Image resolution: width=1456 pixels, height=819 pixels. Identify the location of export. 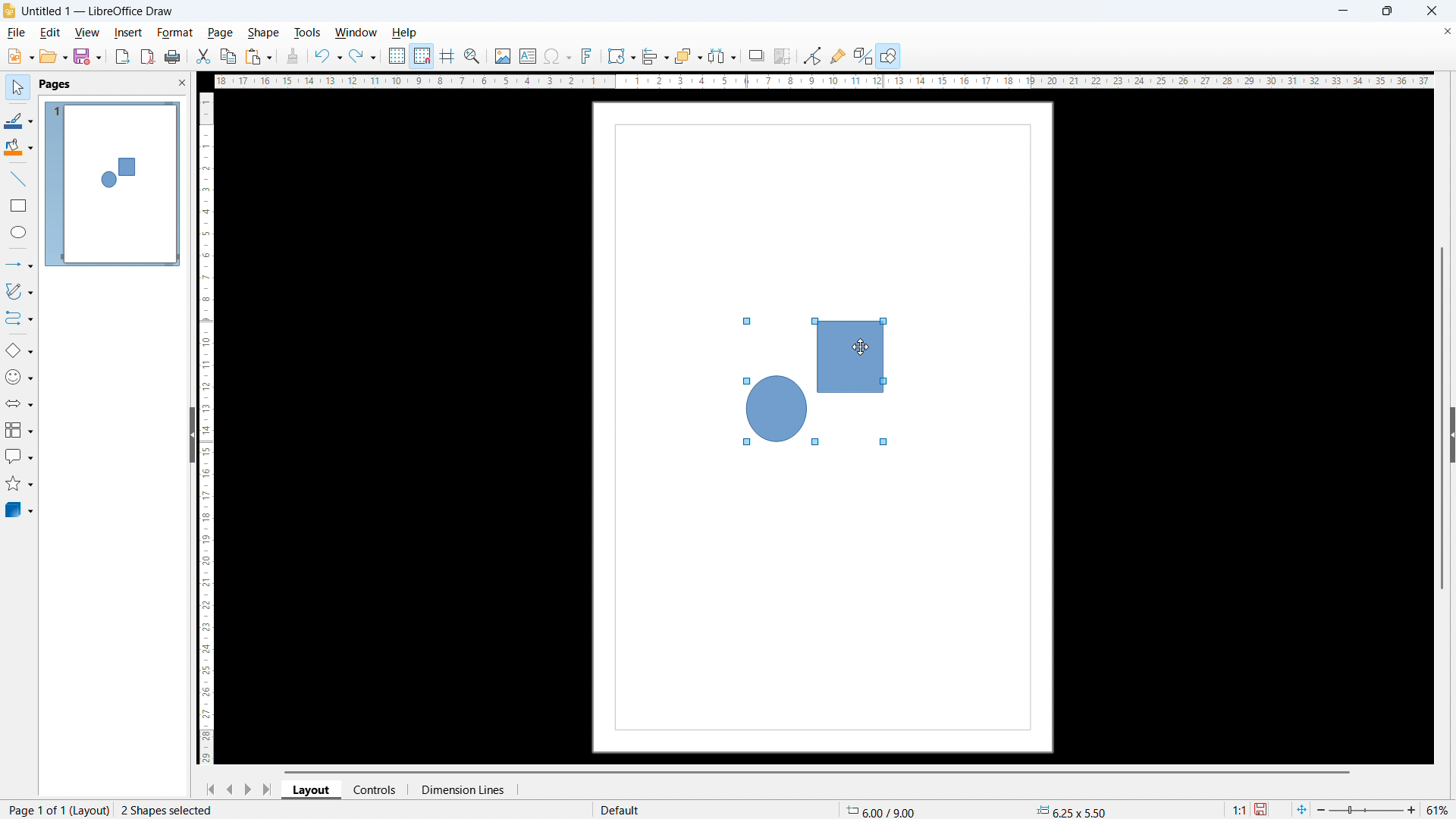
(124, 58).